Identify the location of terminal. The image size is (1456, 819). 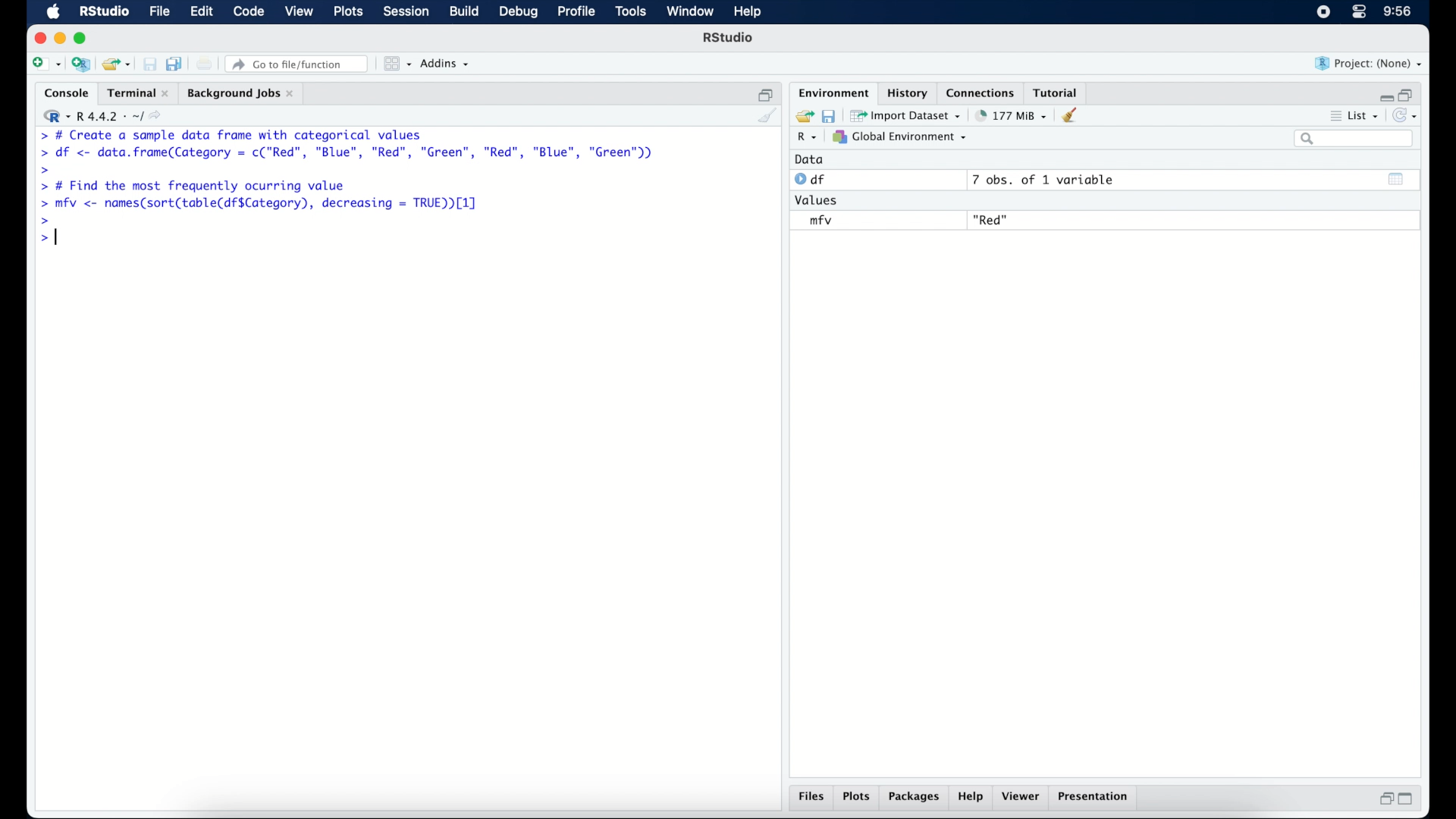
(136, 91).